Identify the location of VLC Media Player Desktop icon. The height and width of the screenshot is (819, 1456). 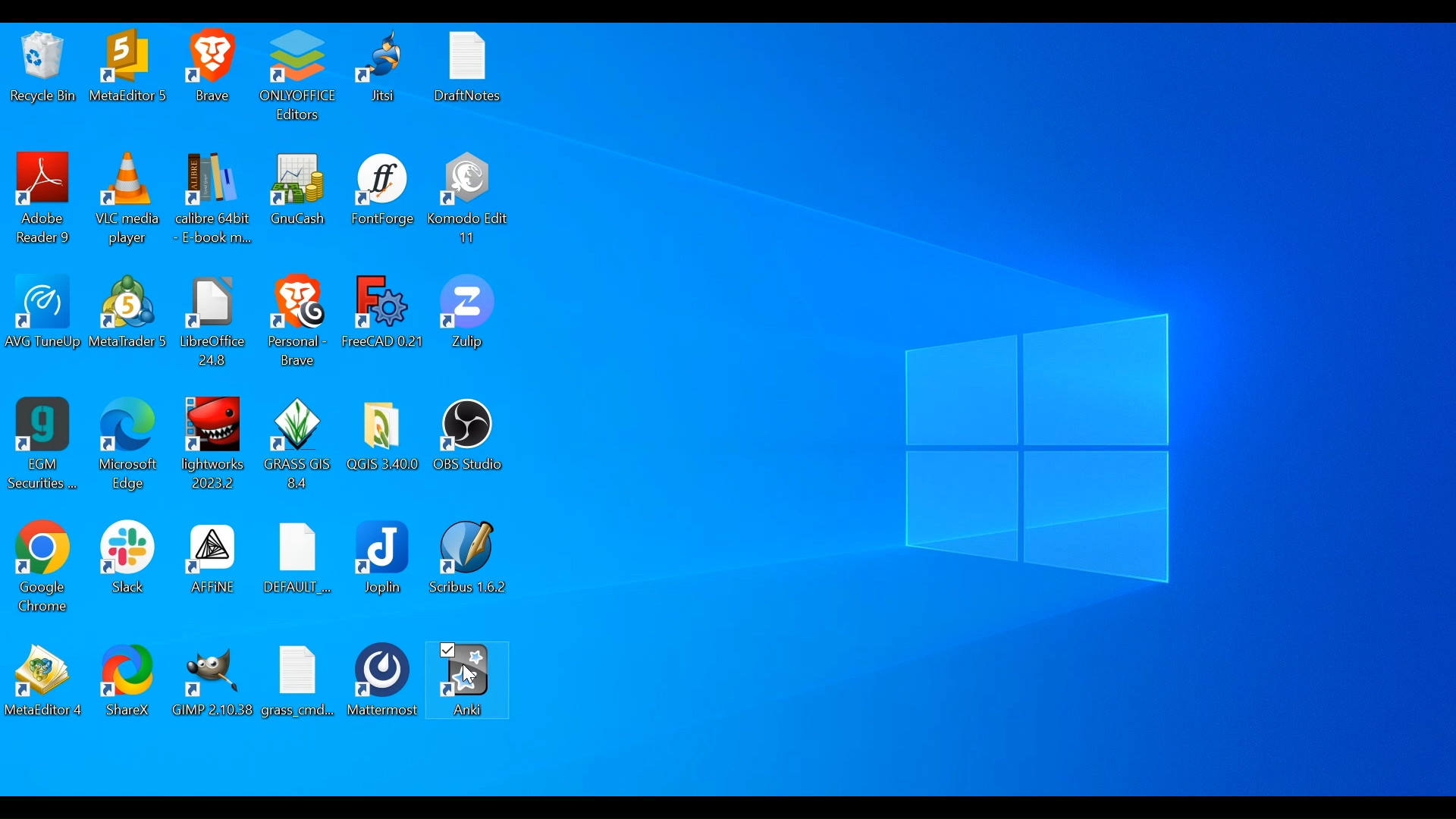
(127, 199).